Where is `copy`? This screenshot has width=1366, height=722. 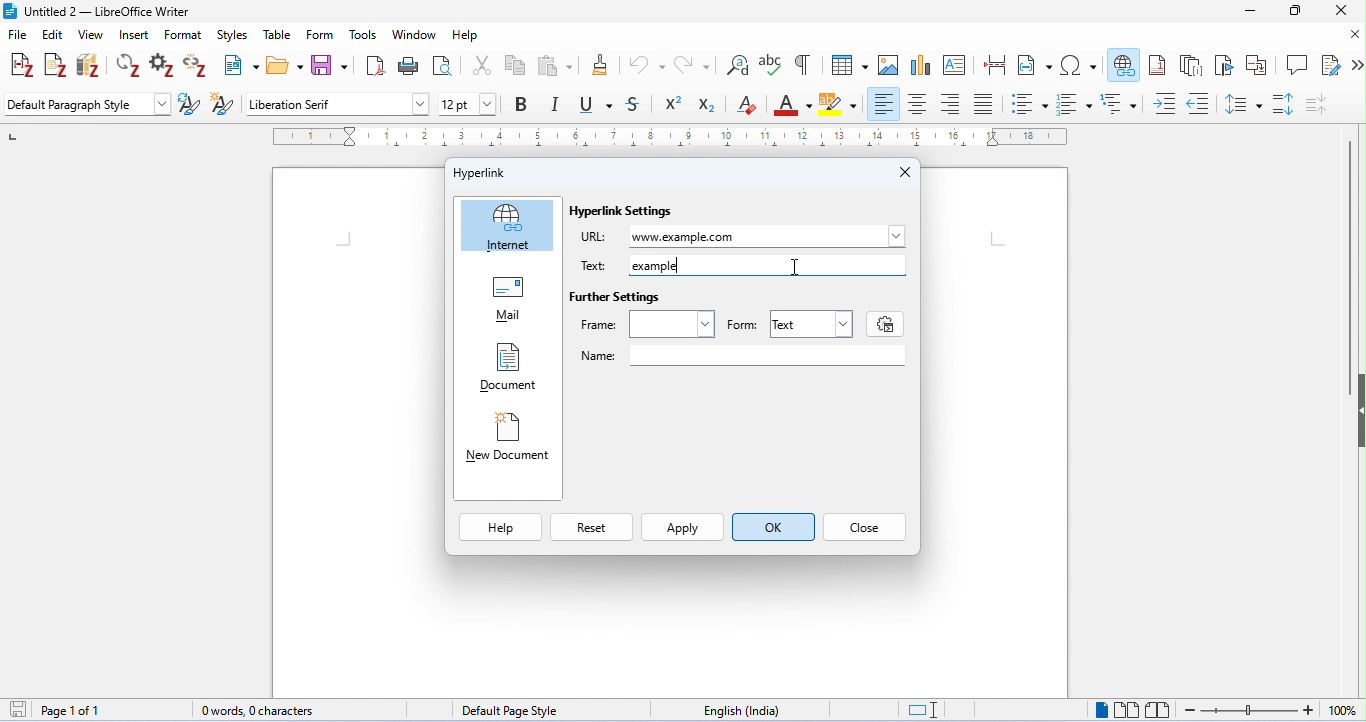 copy is located at coordinates (516, 65).